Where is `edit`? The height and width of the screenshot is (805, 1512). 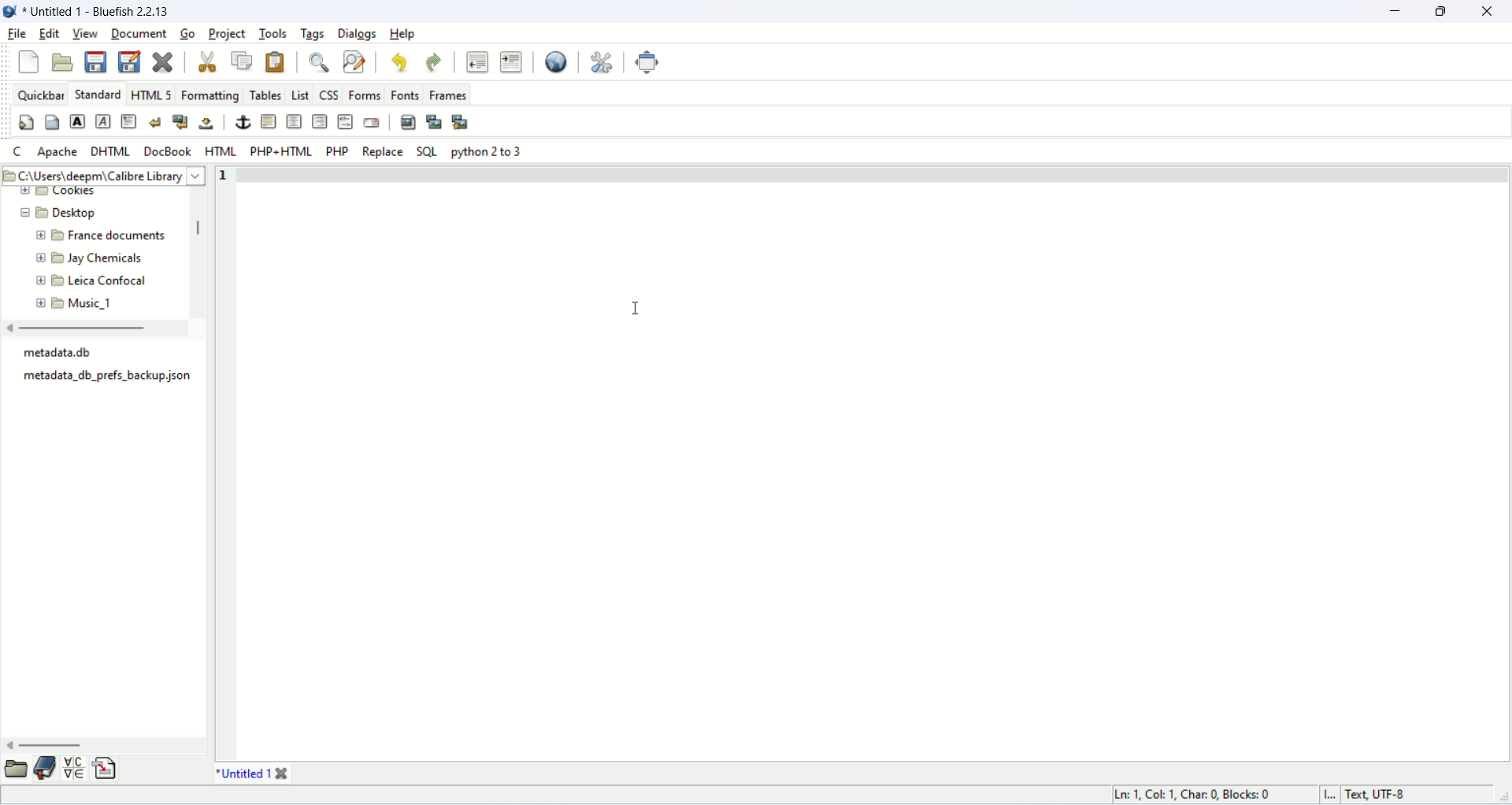 edit is located at coordinates (48, 35).